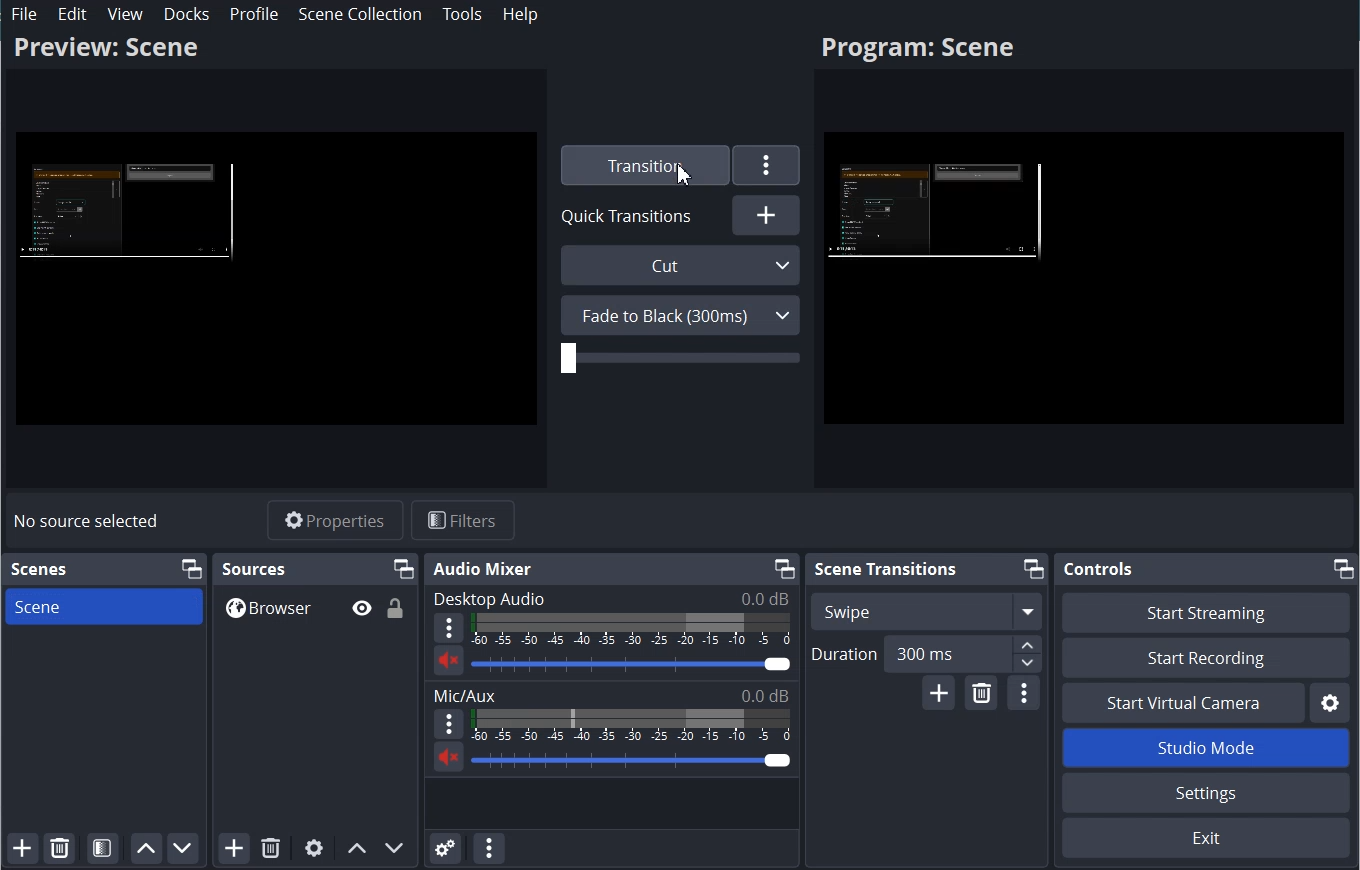  Describe the element at coordinates (105, 46) in the screenshot. I see `Program: Scene` at that location.